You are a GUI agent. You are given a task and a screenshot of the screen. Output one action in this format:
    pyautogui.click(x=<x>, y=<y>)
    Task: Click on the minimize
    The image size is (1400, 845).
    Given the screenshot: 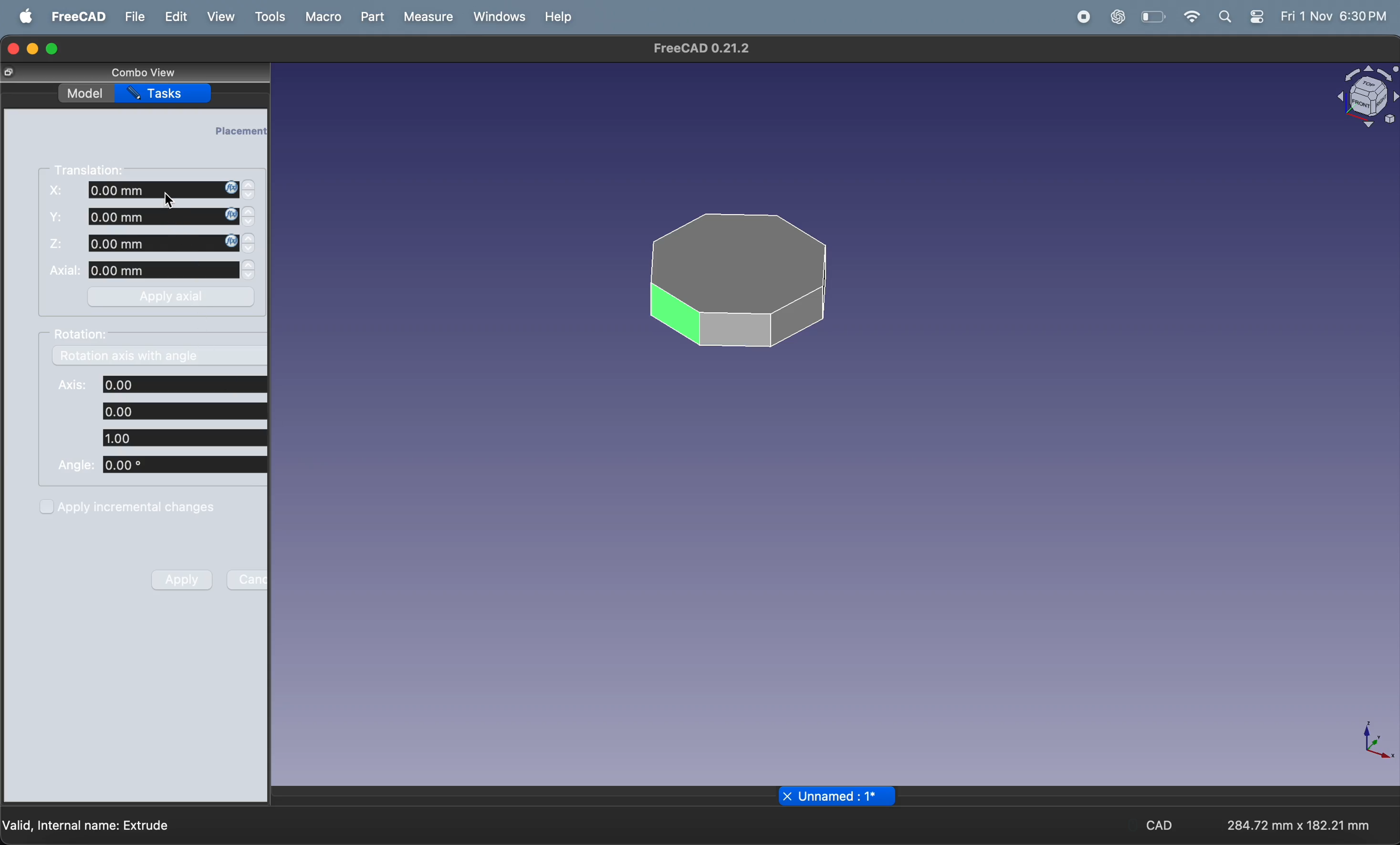 What is the action you would take?
    pyautogui.click(x=33, y=49)
    